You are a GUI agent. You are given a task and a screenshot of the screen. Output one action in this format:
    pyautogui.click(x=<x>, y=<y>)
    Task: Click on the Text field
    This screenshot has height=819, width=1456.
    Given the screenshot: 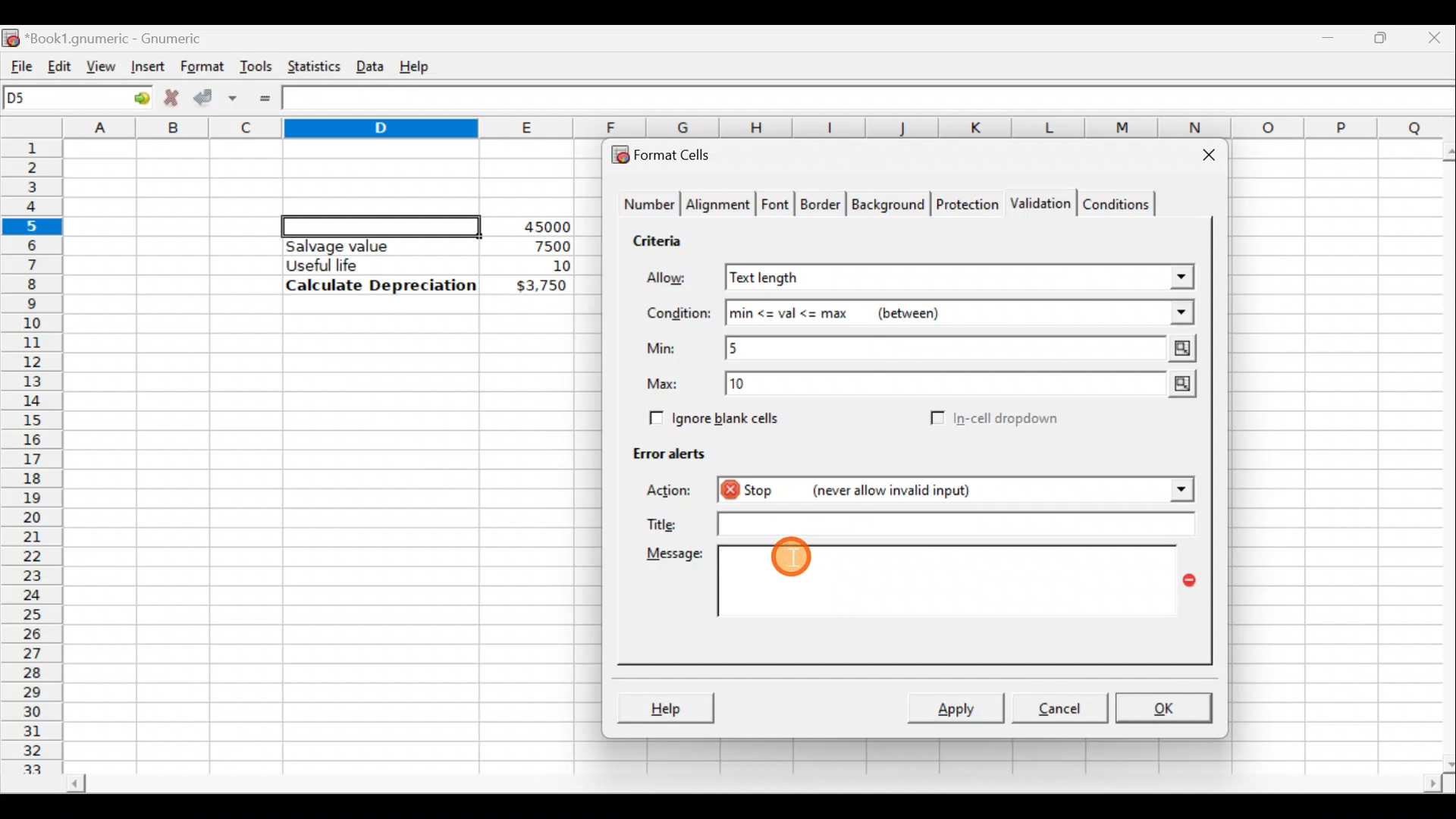 What is the action you would take?
    pyautogui.click(x=950, y=523)
    